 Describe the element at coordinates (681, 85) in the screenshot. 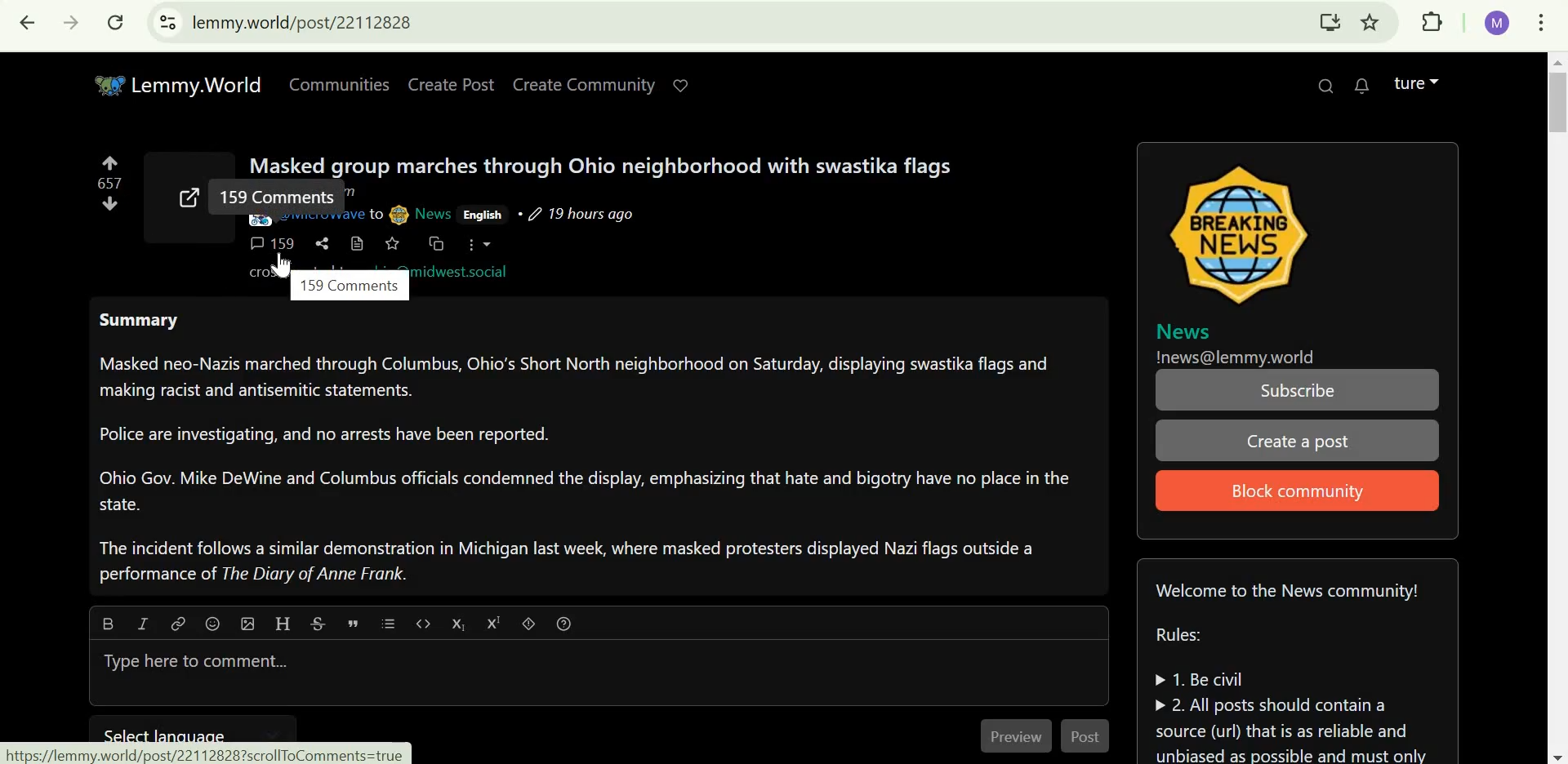

I see `Support lemmy` at that location.